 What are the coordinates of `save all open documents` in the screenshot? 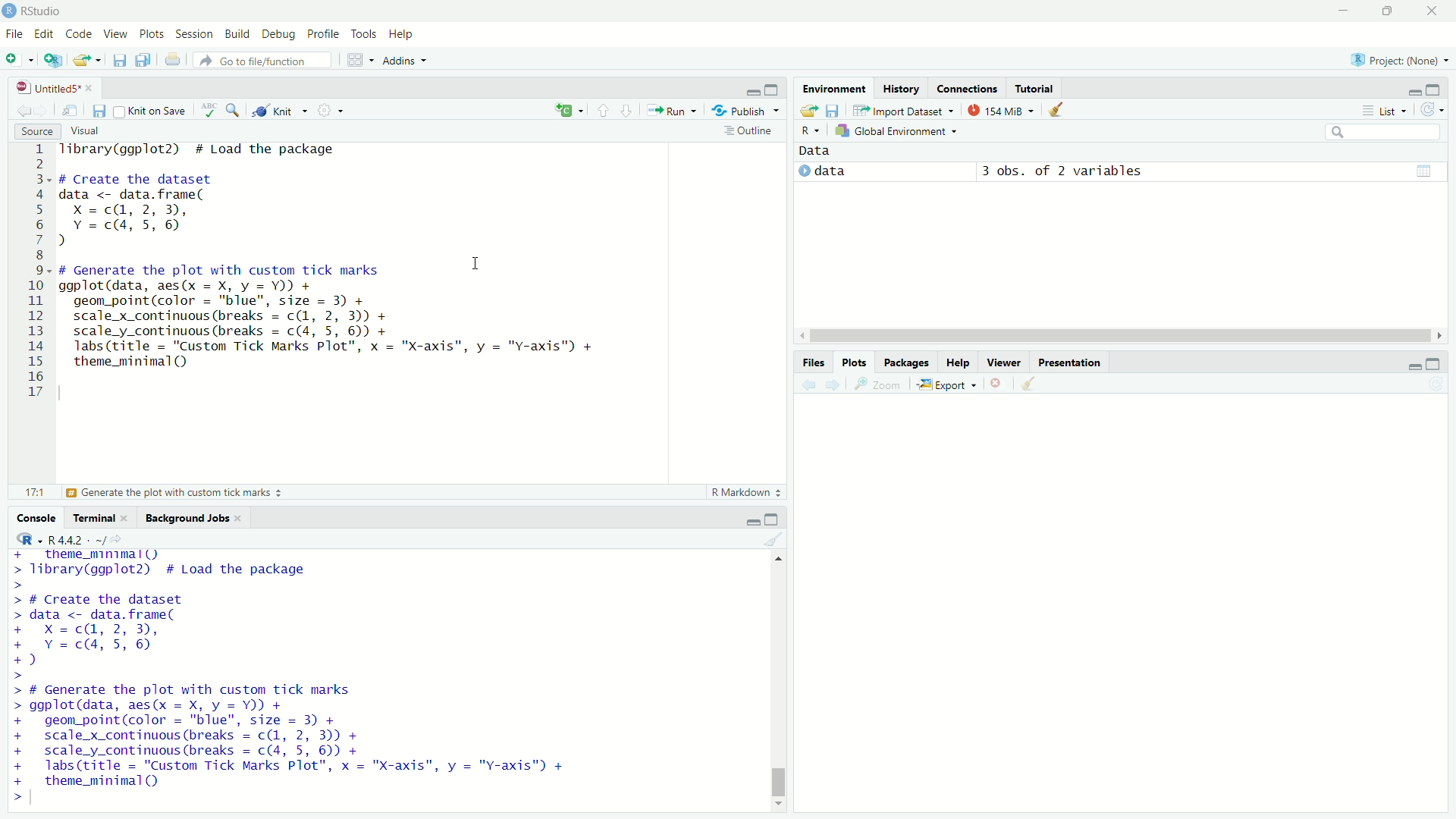 It's located at (142, 61).